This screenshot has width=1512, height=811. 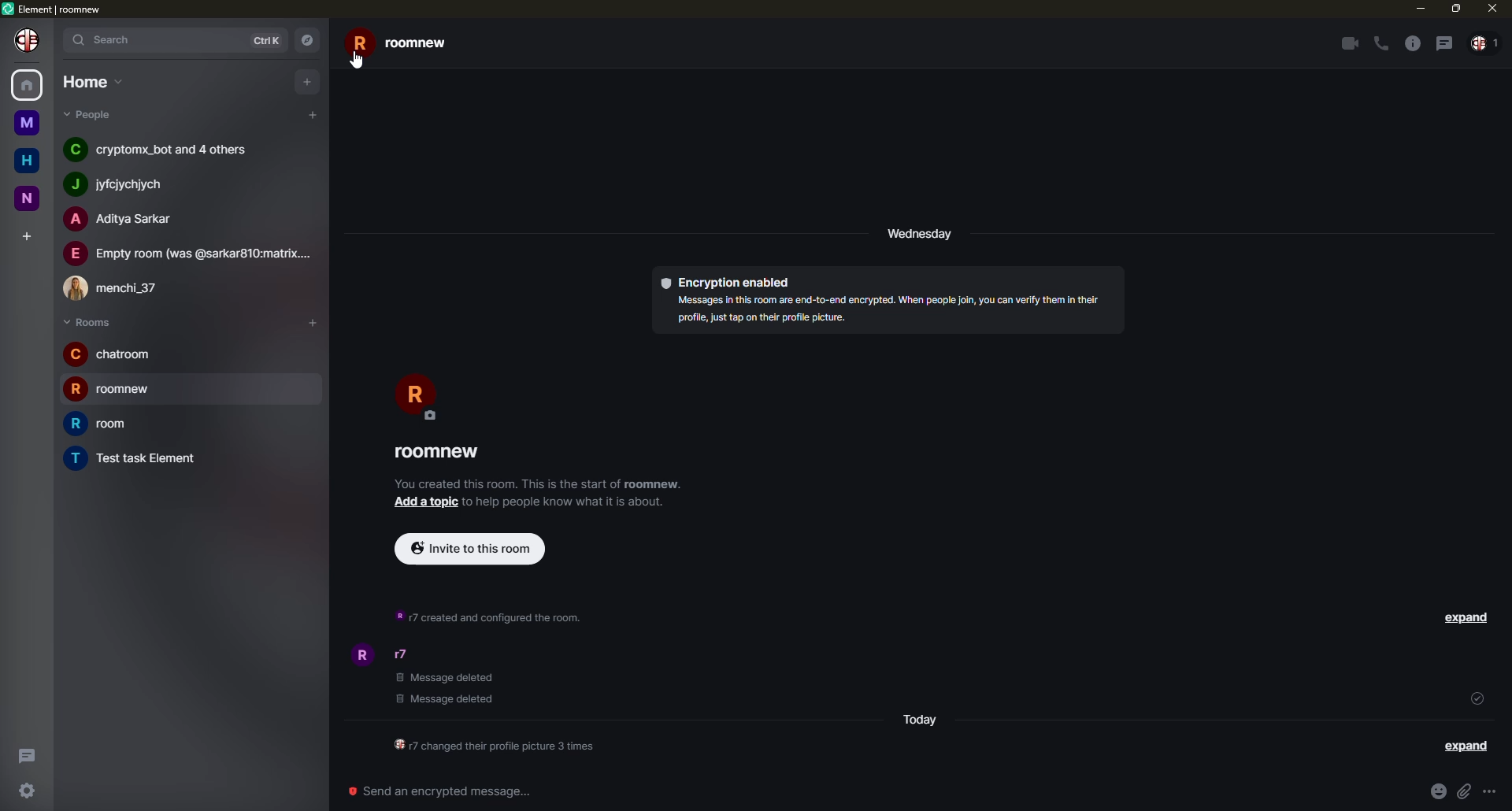 What do you see at coordinates (105, 424) in the screenshot?
I see `room` at bounding box center [105, 424].